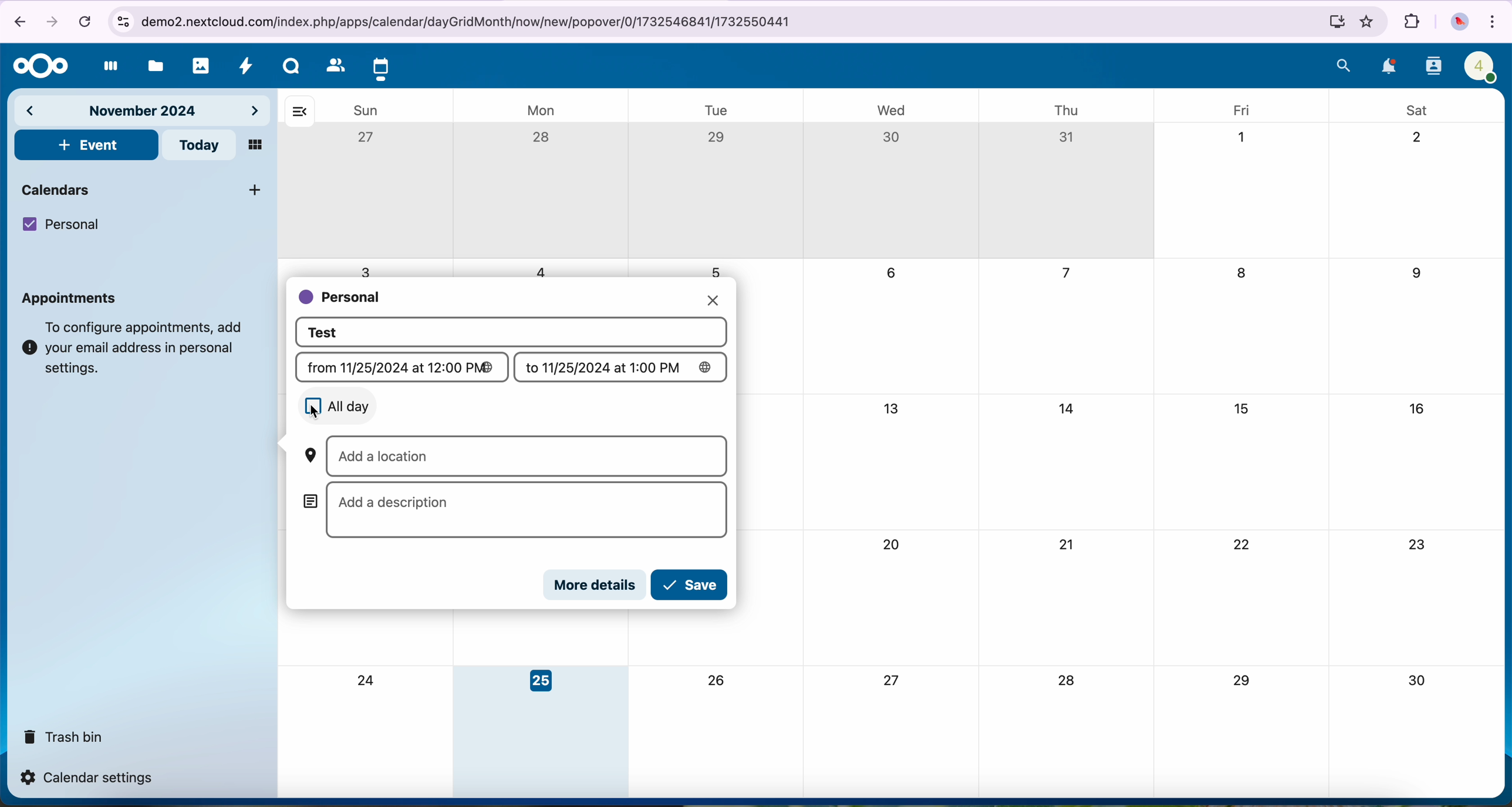  What do you see at coordinates (1419, 546) in the screenshot?
I see `23` at bounding box center [1419, 546].